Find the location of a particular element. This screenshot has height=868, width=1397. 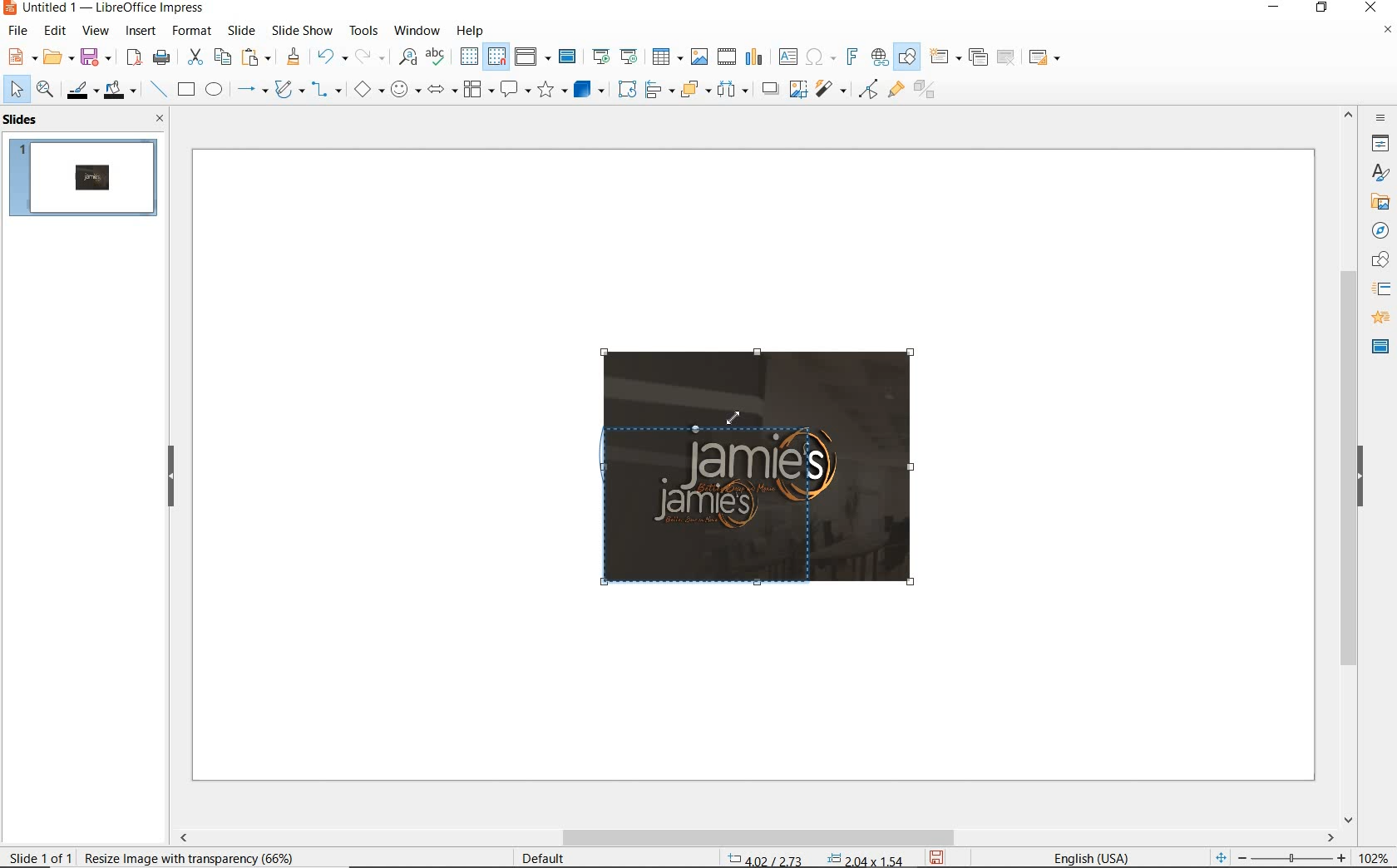

master slide is located at coordinates (1380, 345).